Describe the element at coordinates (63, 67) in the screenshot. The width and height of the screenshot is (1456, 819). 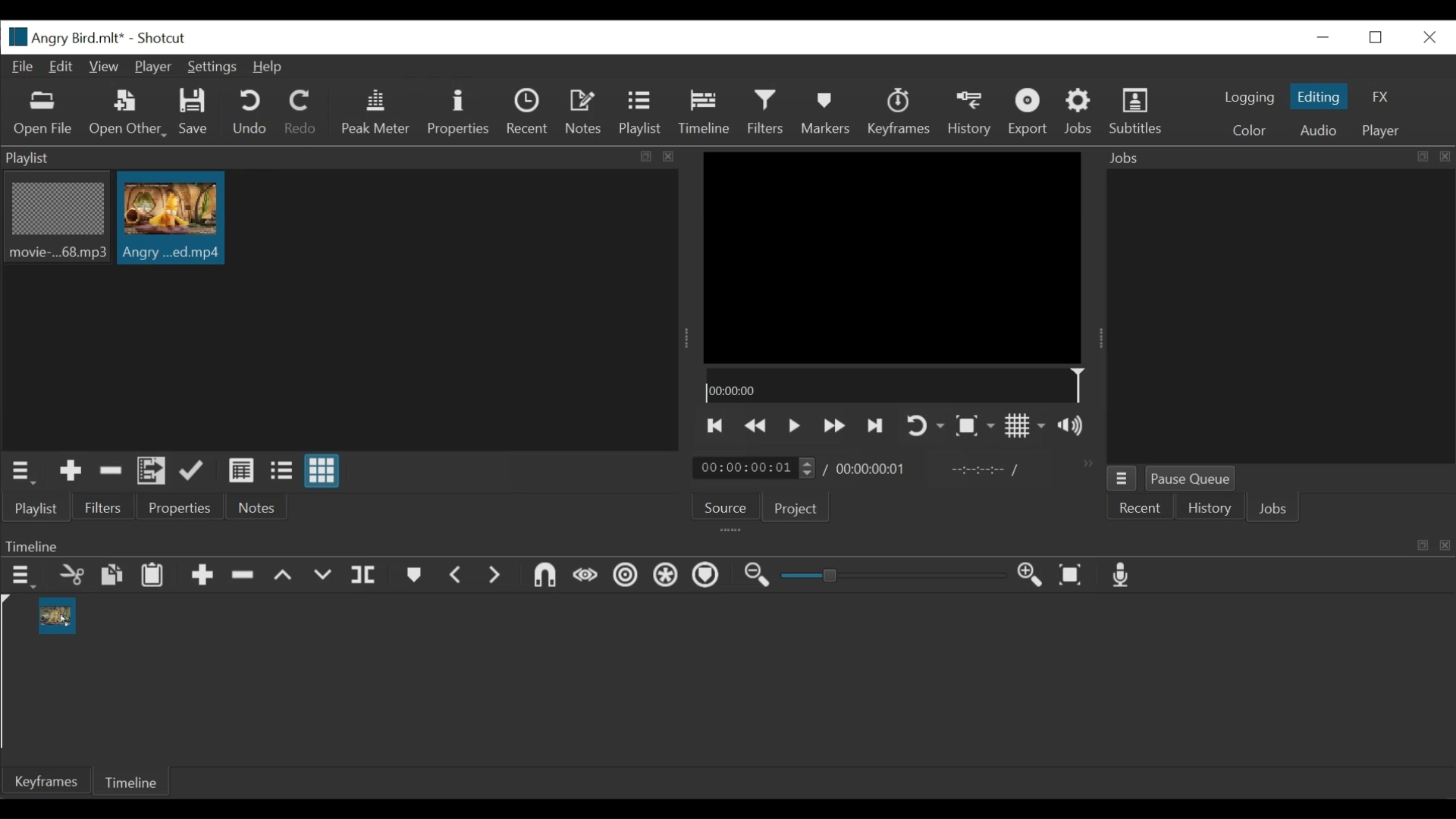
I see `Edit` at that location.